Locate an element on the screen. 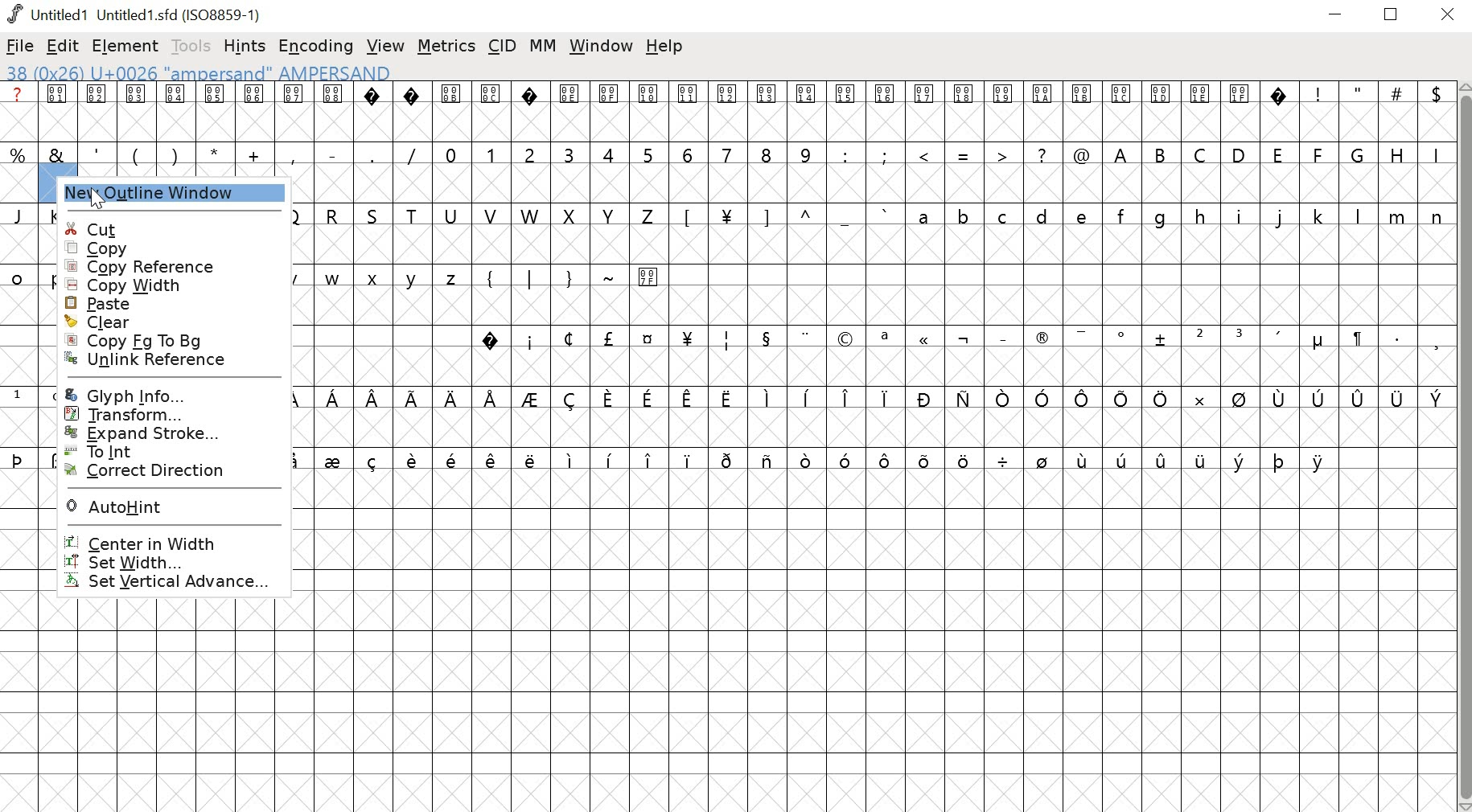  Y is located at coordinates (611, 215).